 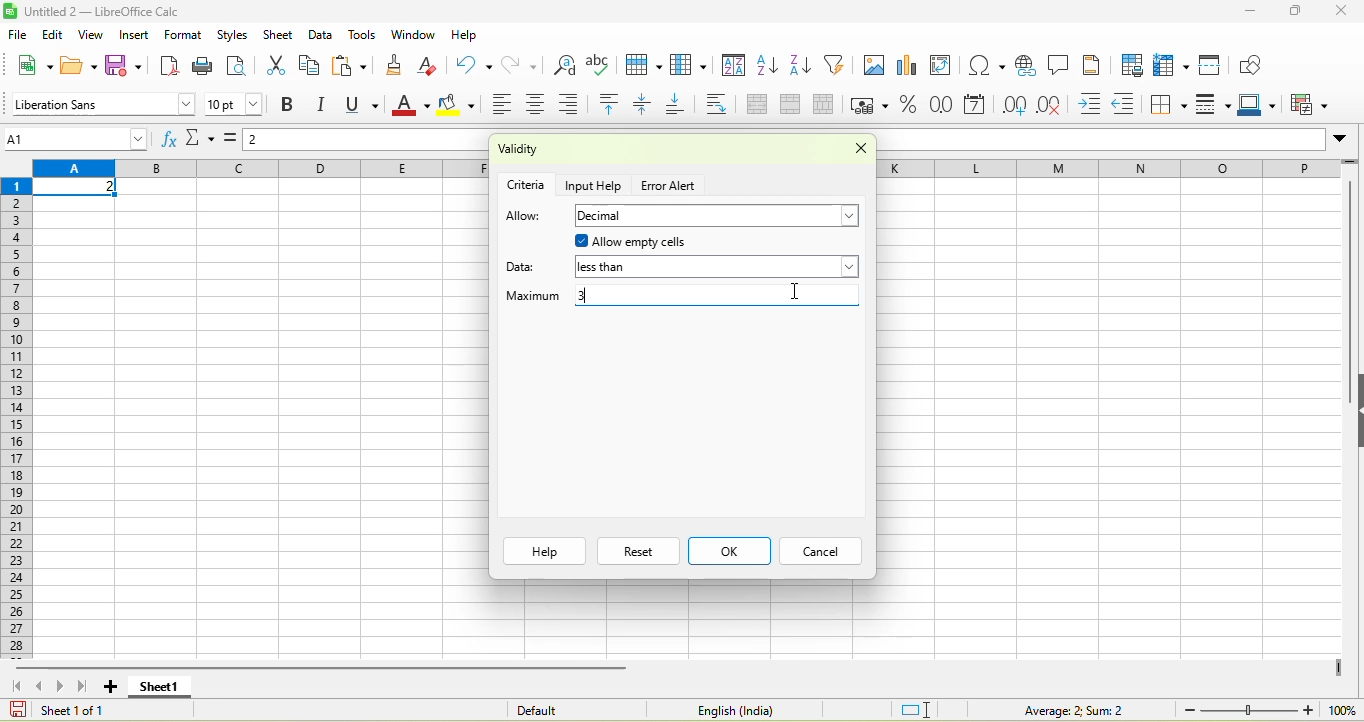 What do you see at coordinates (1059, 65) in the screenshot?
I see `comment` at bounding box center [1059, 65].